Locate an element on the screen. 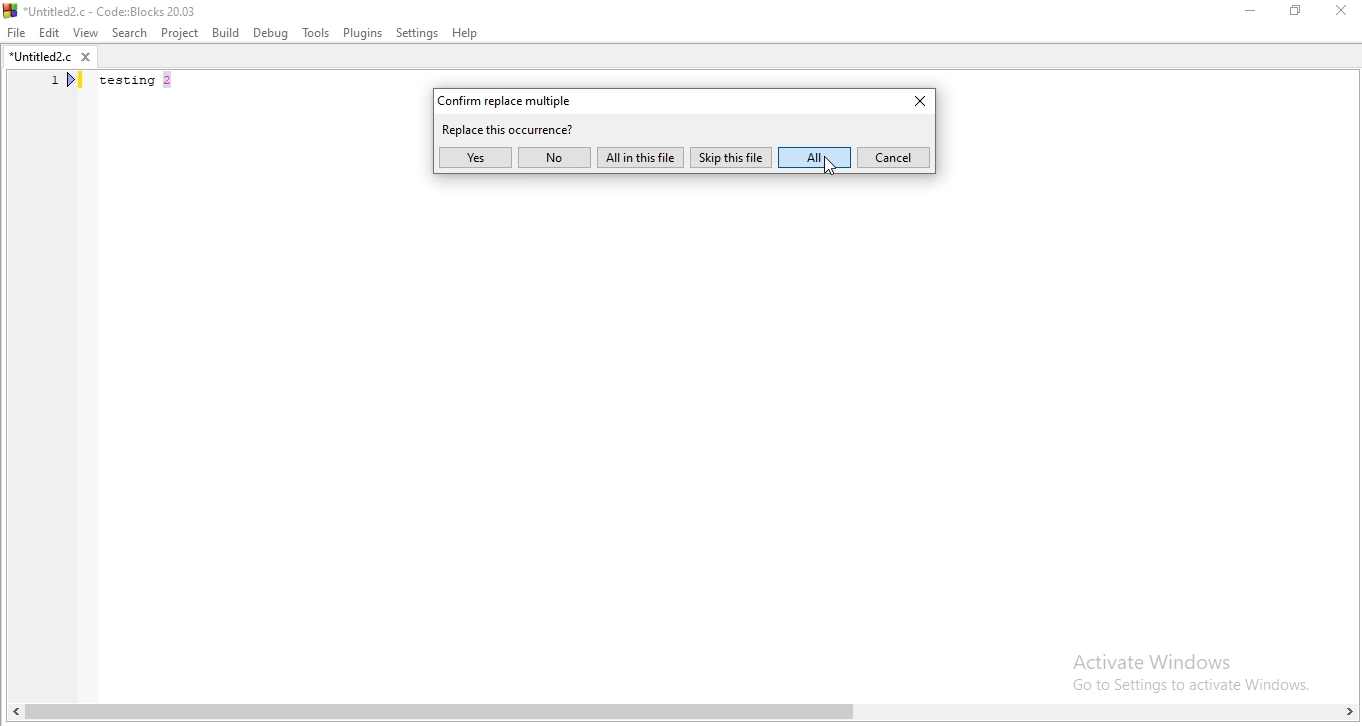  Build  is located at coordinates (225, 32).